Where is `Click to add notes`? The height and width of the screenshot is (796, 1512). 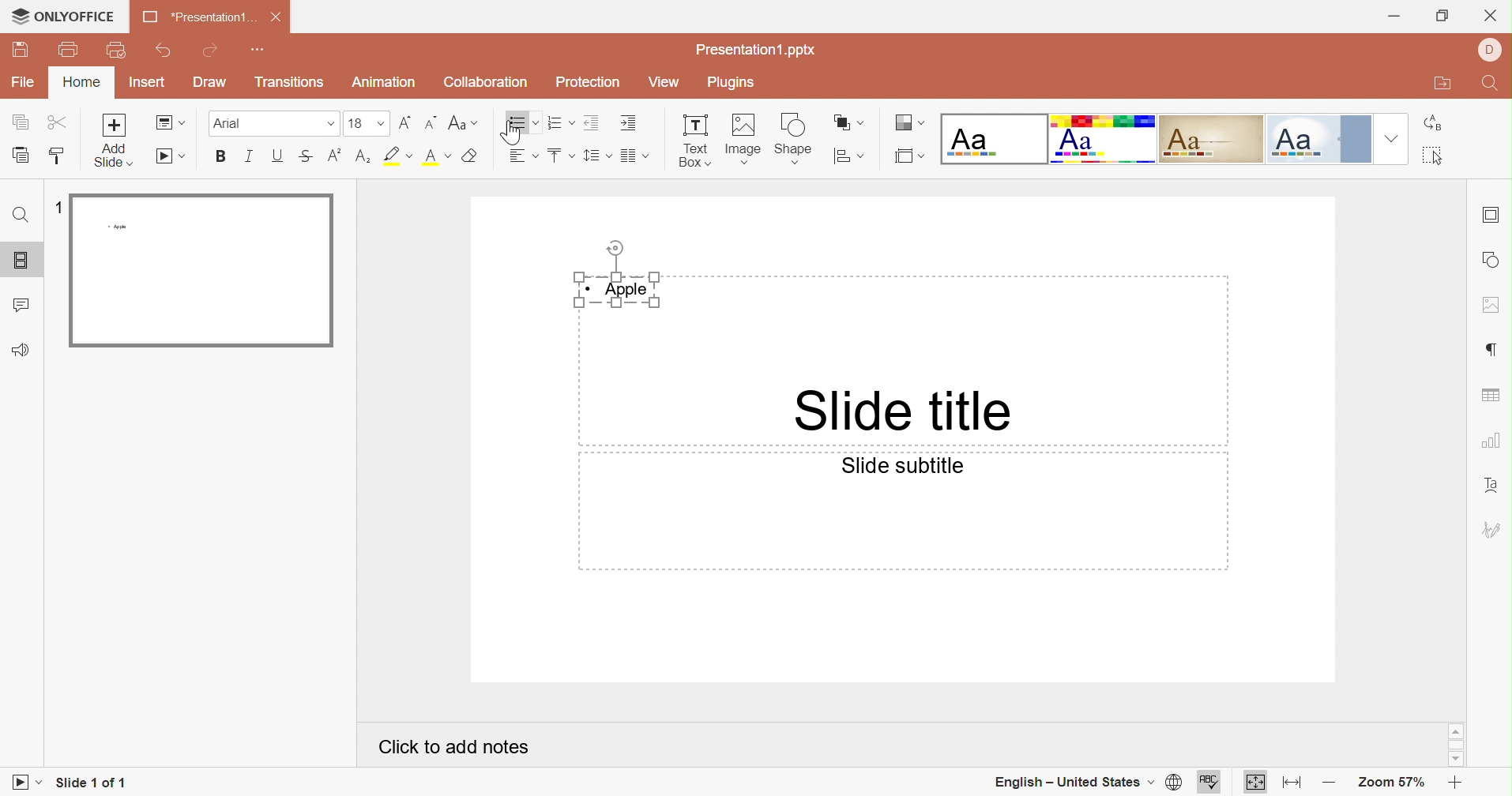
Click to add notes is located at coordinates (454, 744).